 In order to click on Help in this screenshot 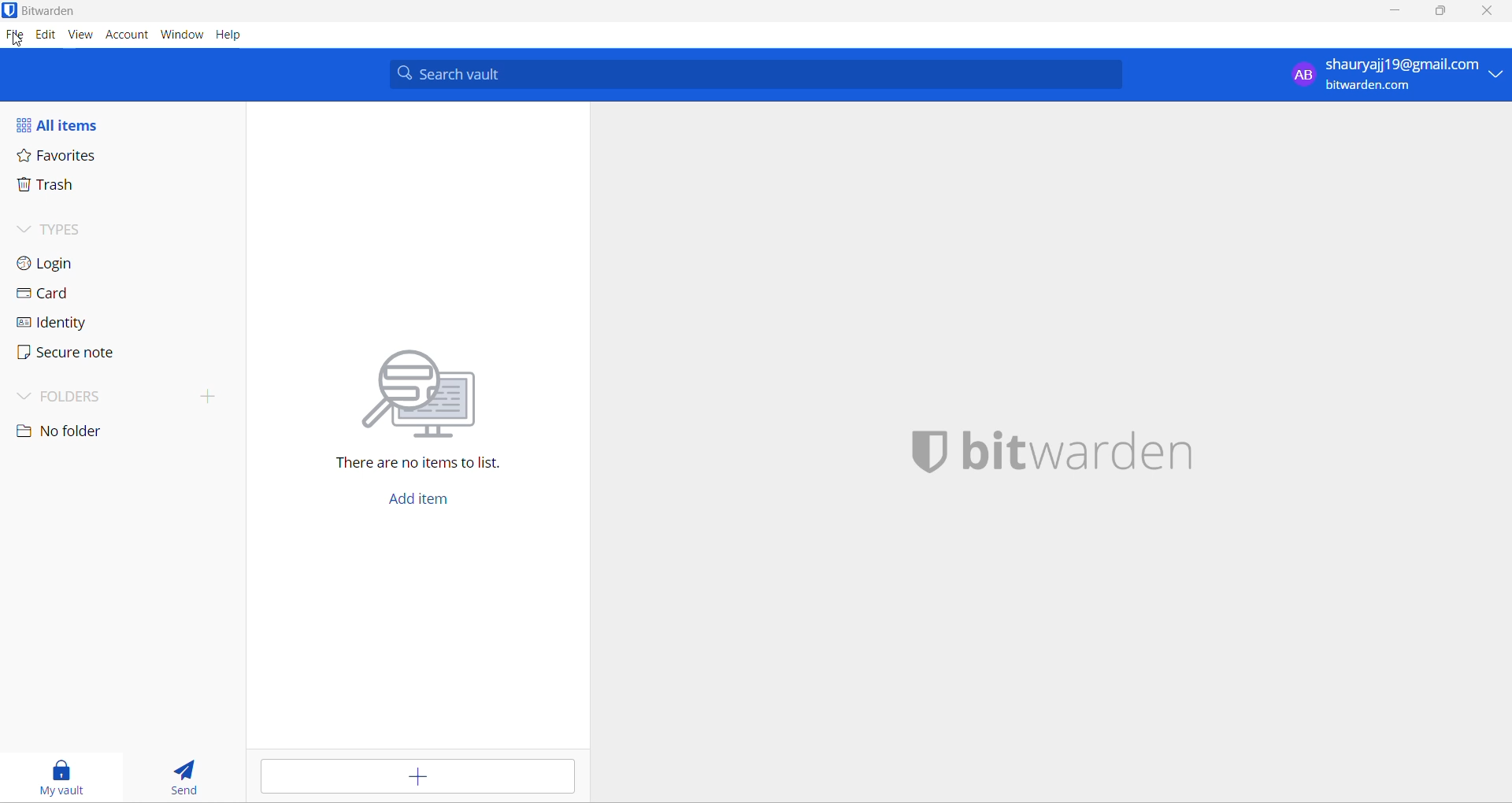, I will do `click(228, 35)`.